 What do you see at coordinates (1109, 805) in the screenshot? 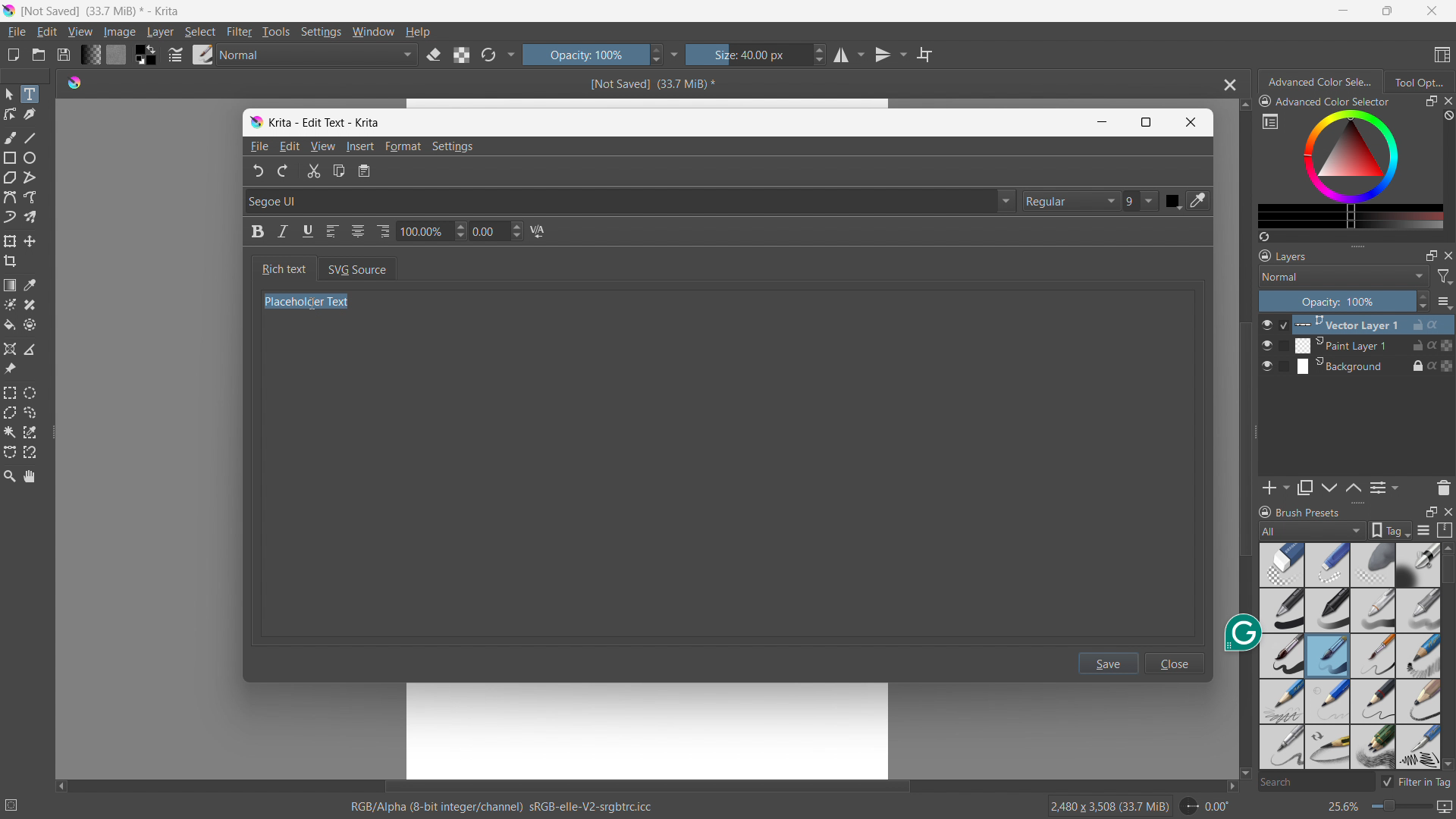
I see `2480 X 3508 (33.5 MiB)` at bounding box center [1109, 805].